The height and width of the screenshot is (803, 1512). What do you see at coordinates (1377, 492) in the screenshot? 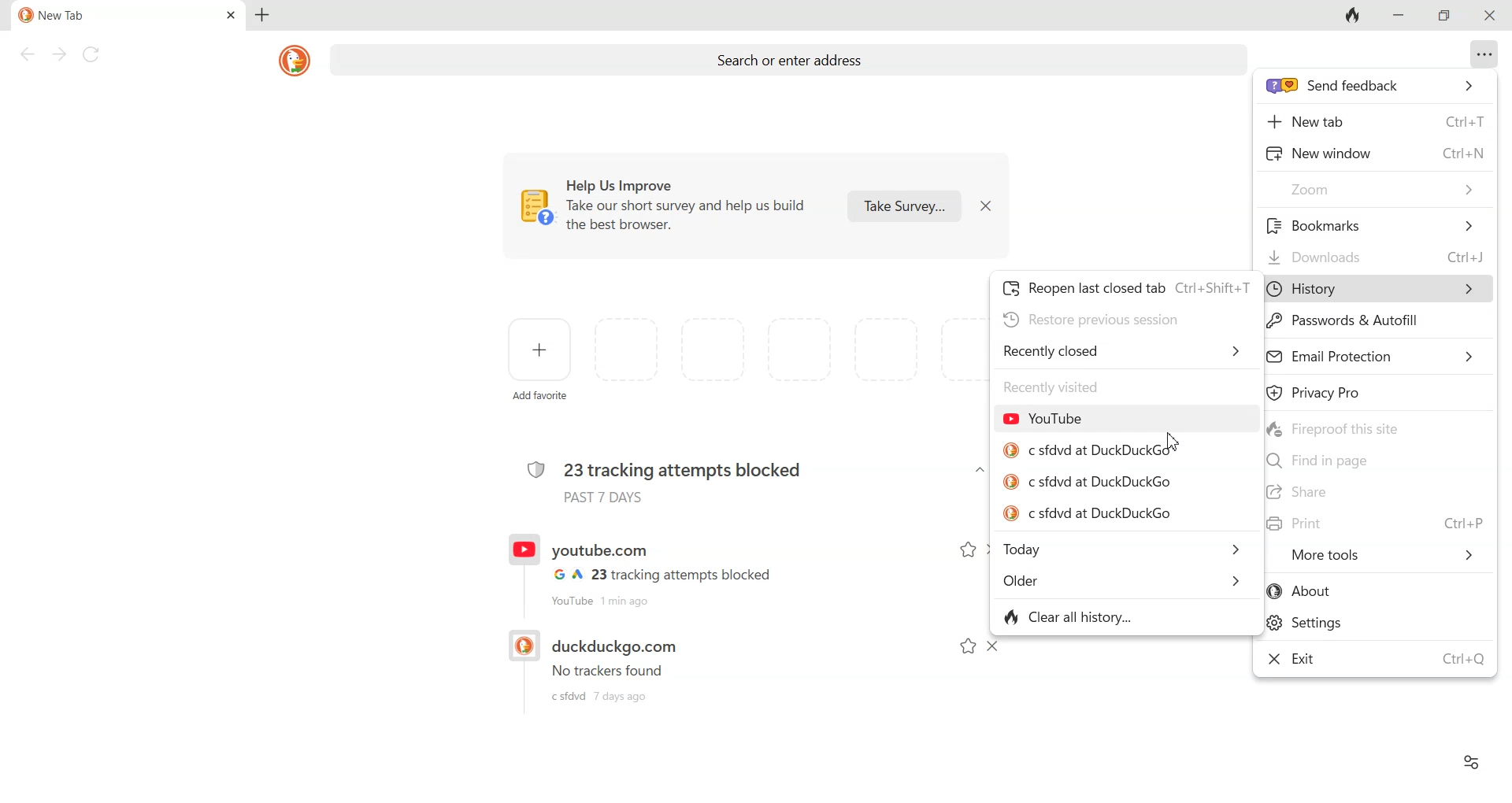
I see `Share` at bounding box center [1377, 492].